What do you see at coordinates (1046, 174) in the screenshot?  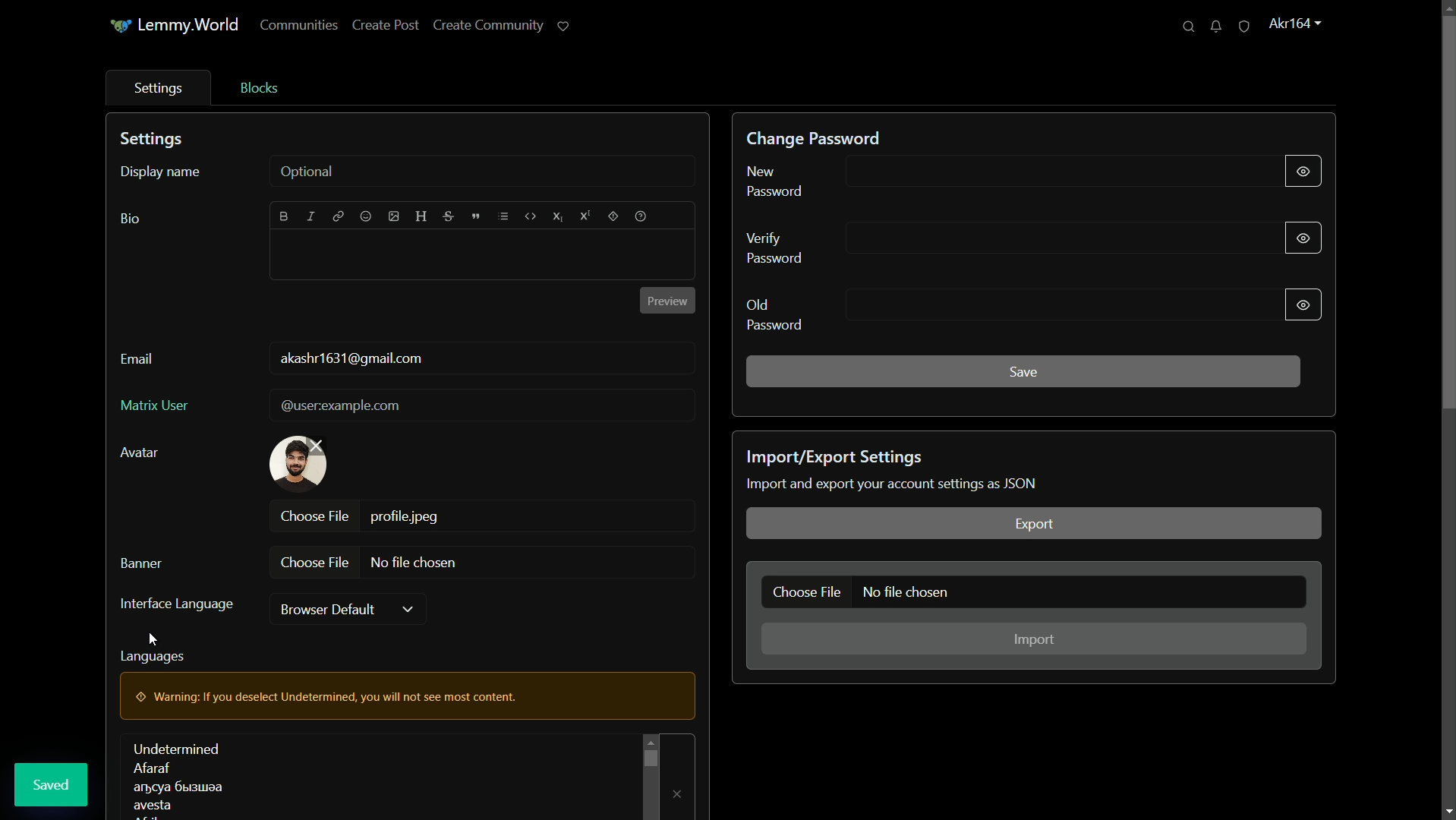 I see `new password input bar` at bounding box center [1046, 174].